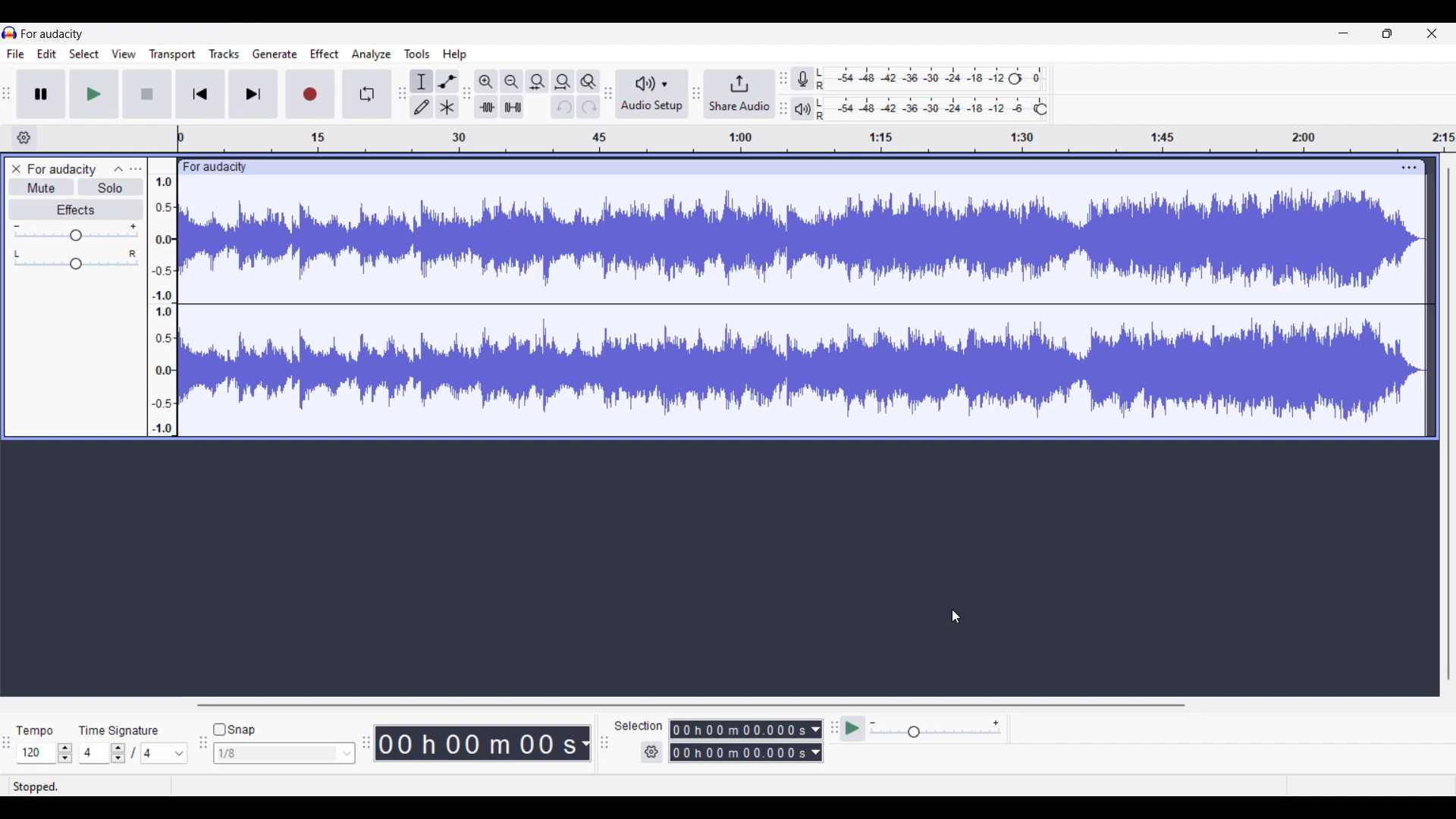 Image resolution: width=1456 pixels, height=819 pixels. What do you see at coordinates (16, 169) in the screenshot?
I see `Close track` at bounding box center [16, 169].